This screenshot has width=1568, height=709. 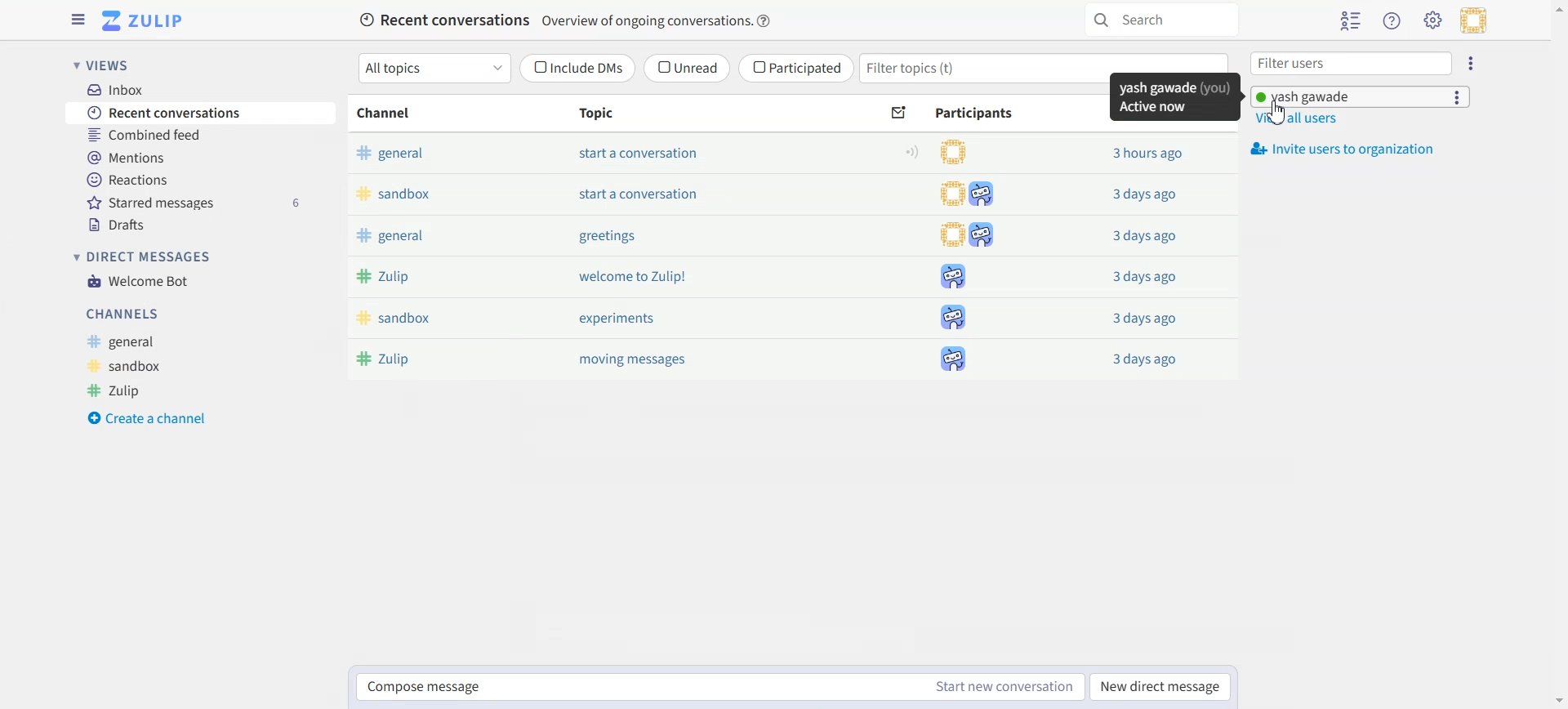 What do you see at coordinates (174, 113) in the screenshot?
I see `Recent conversations` at bounding box center [174, 113].